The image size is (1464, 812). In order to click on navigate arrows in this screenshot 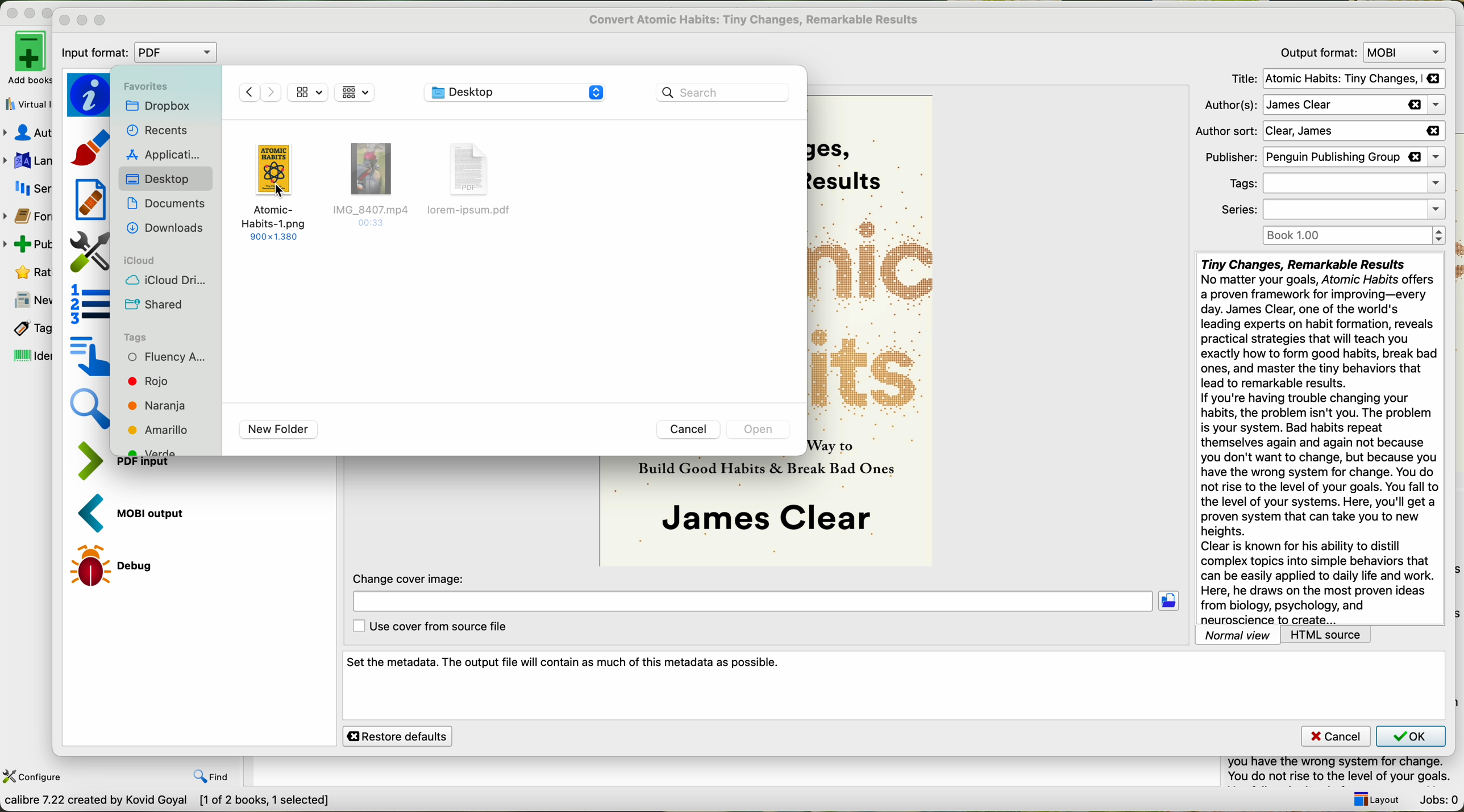, I will do `click(260, 92)`.